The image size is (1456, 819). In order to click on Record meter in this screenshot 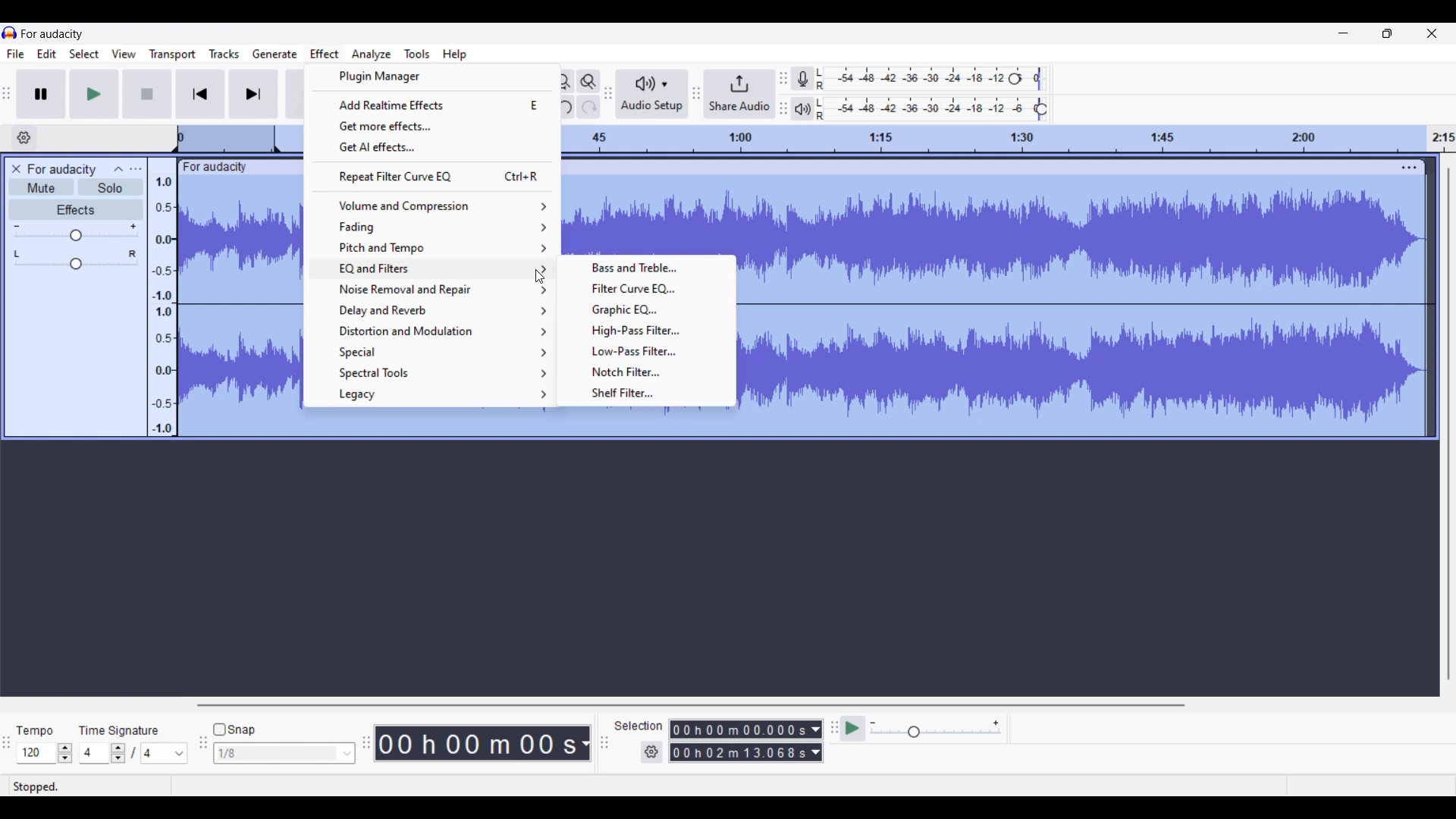, I will do `click(803, 78)`.